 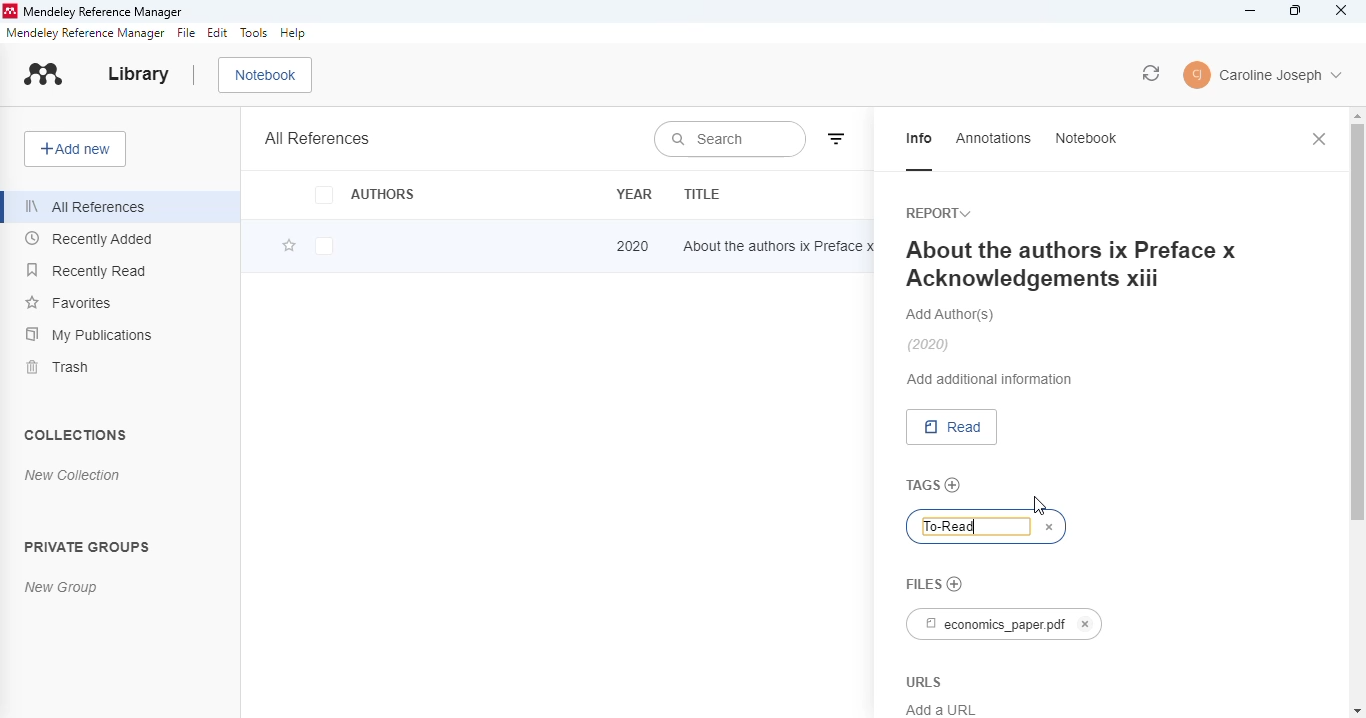 I want to click on all references, so click(x=318, y=138).